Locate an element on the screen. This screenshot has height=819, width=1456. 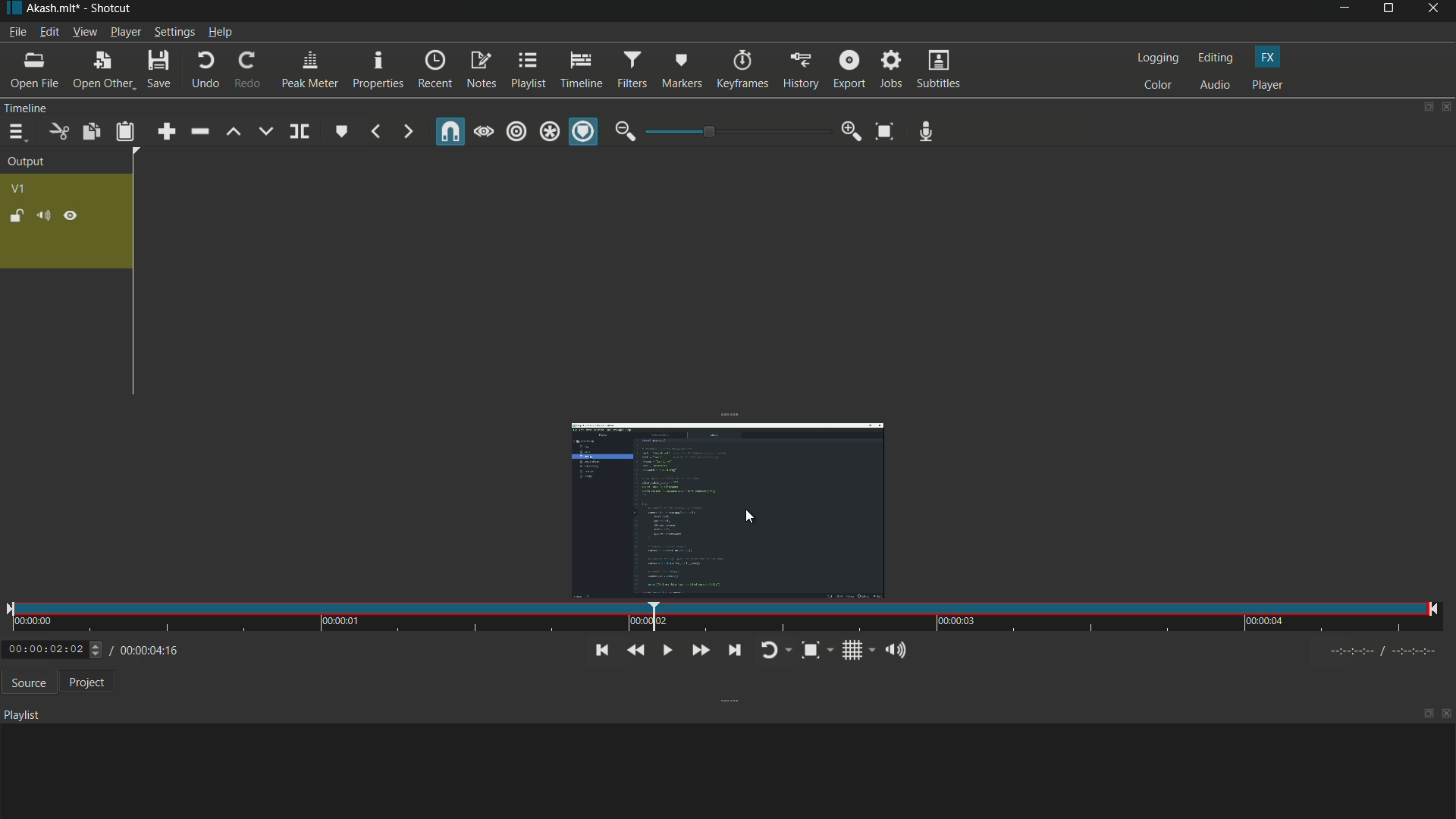
next marker is located at coordinates (407, 133).